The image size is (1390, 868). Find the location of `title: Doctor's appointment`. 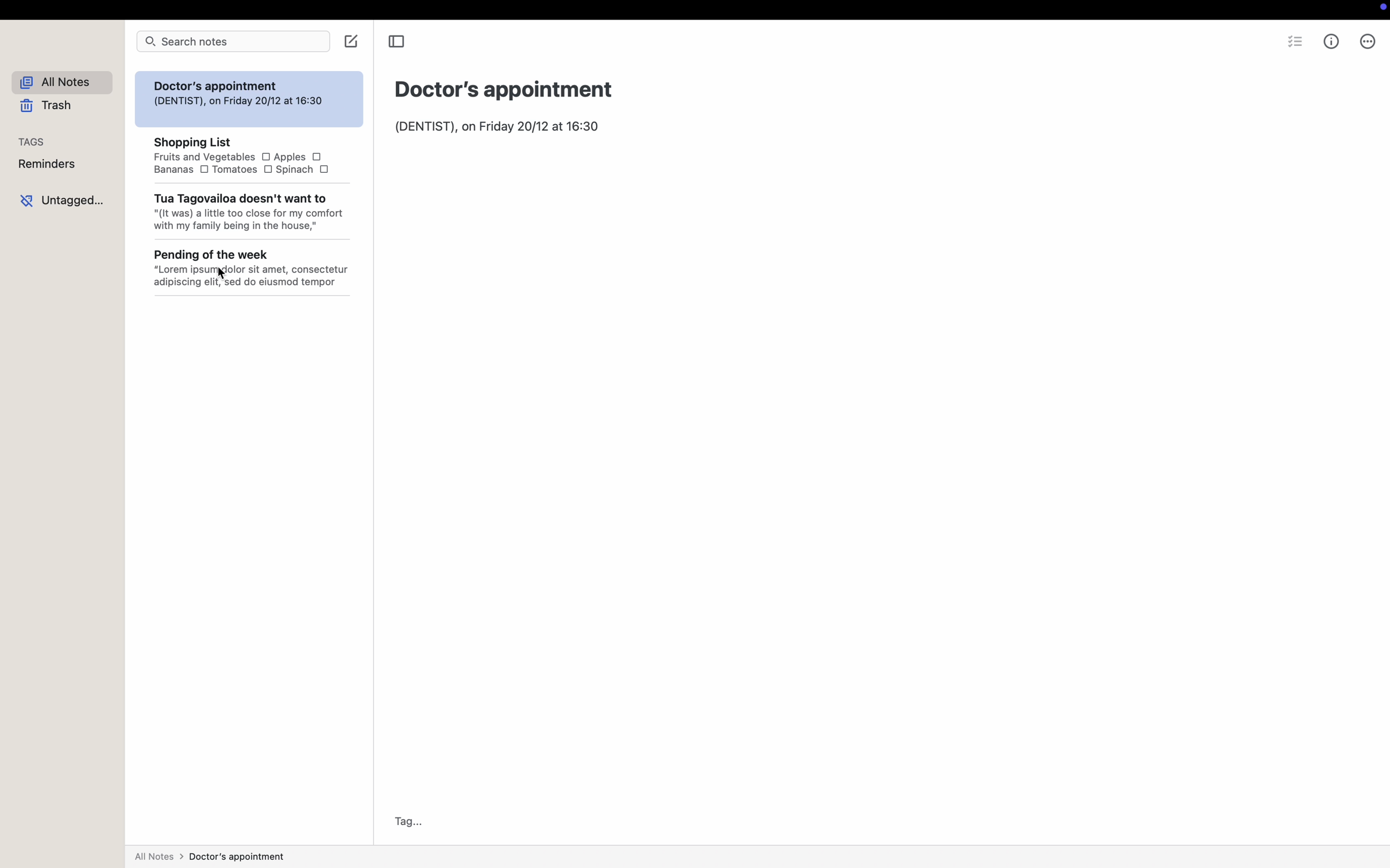

title: Doctor's appointment is located at coordinates (503, 90).